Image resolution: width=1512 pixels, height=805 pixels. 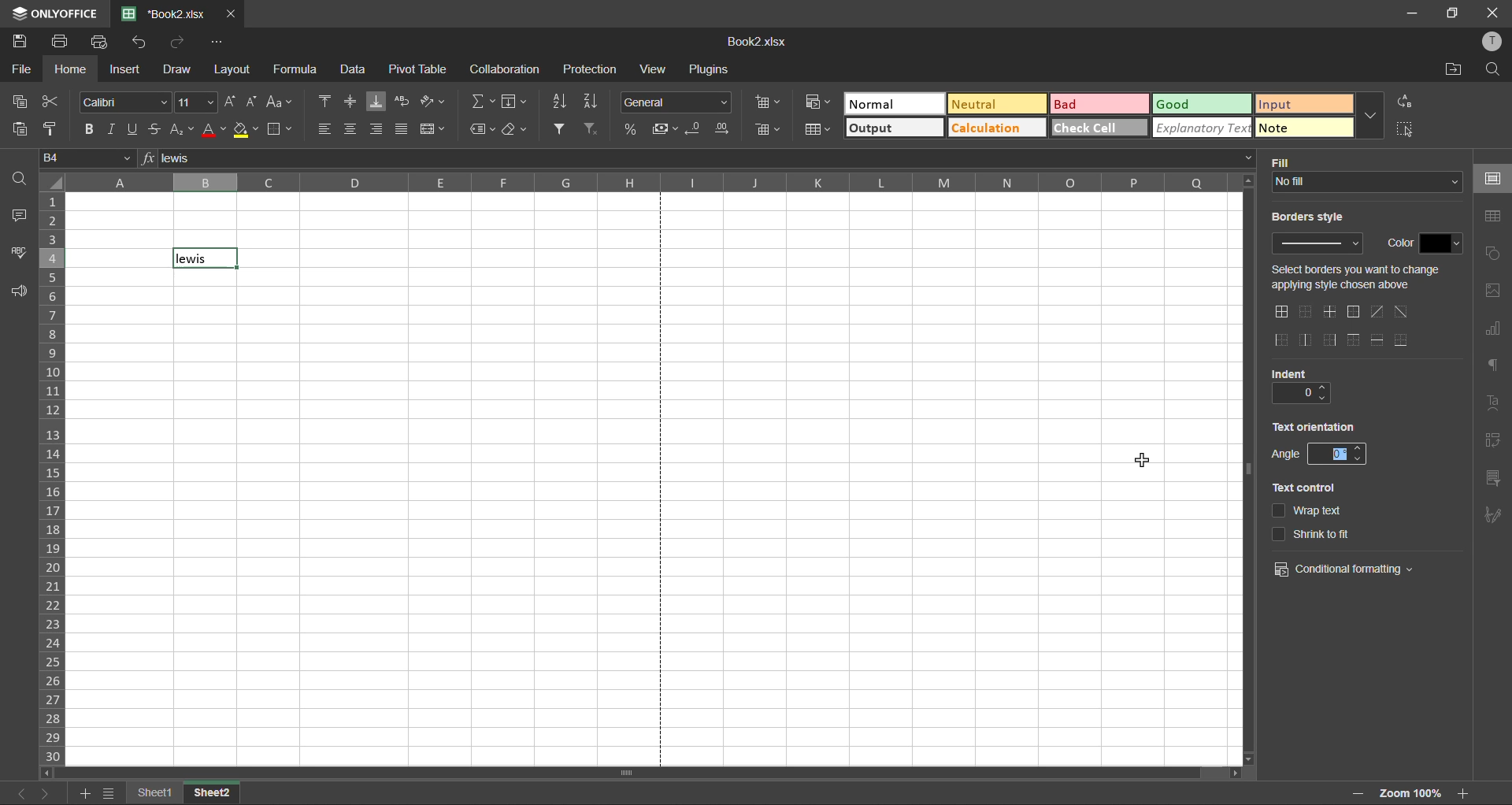 What do you see at coordinates (591, 131) in the screenshot?
I see `clear filter` at bounding box center [591, 131].